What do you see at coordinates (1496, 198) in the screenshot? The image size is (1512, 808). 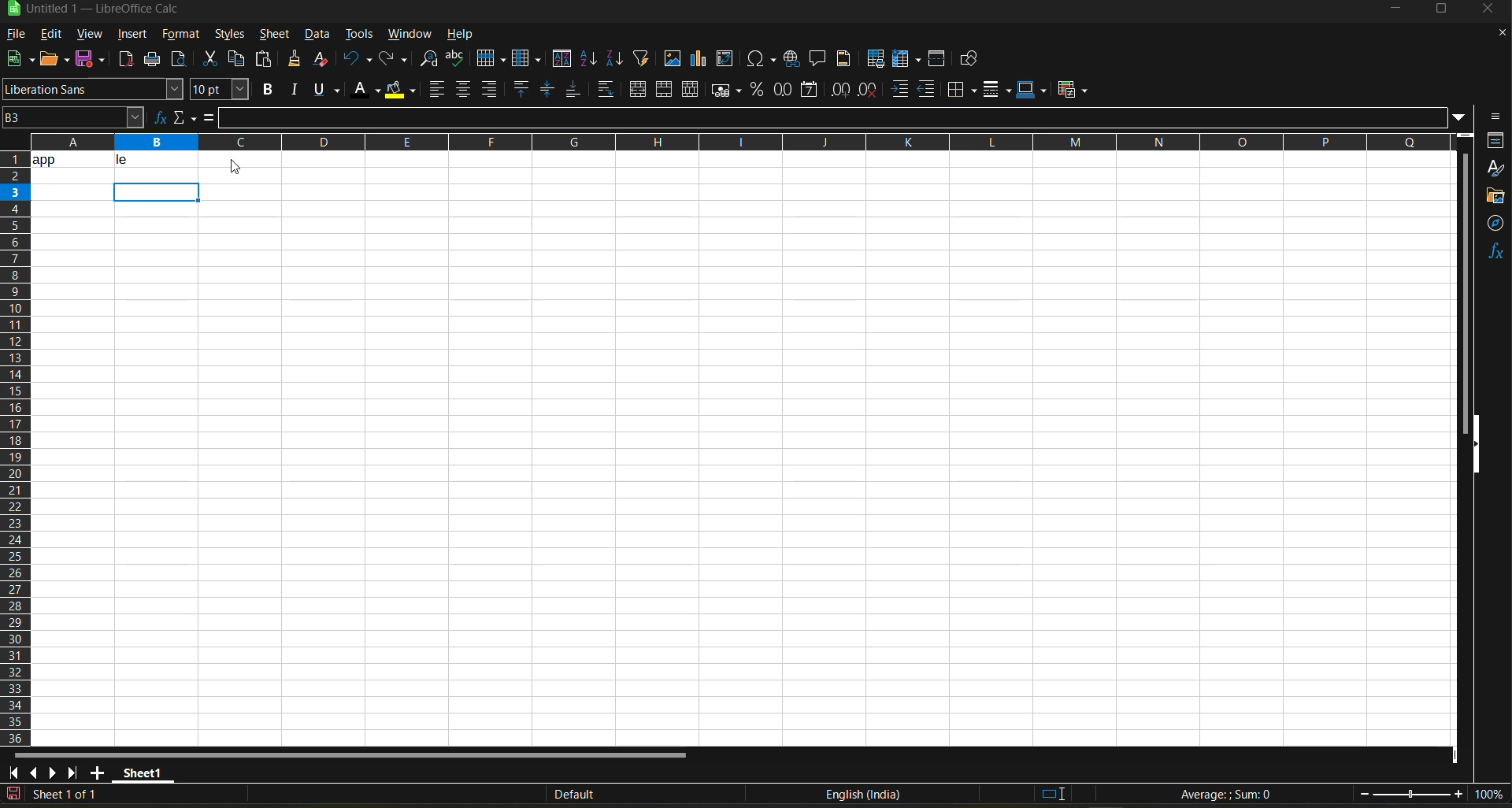 I see `gallery` at bounding box center [1496, 198].